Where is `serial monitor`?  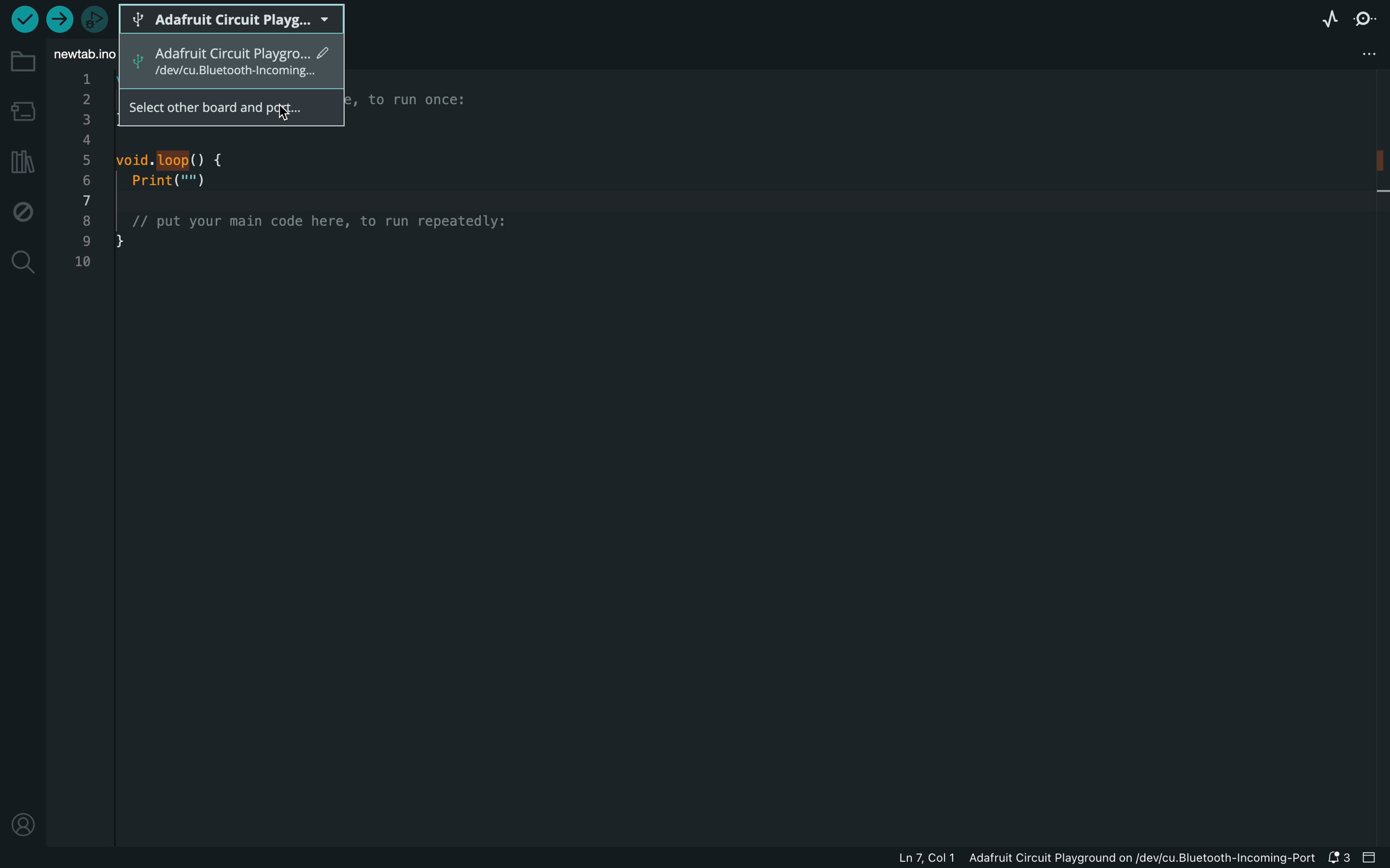 serial monitor is located at coordinates (1370, 21).